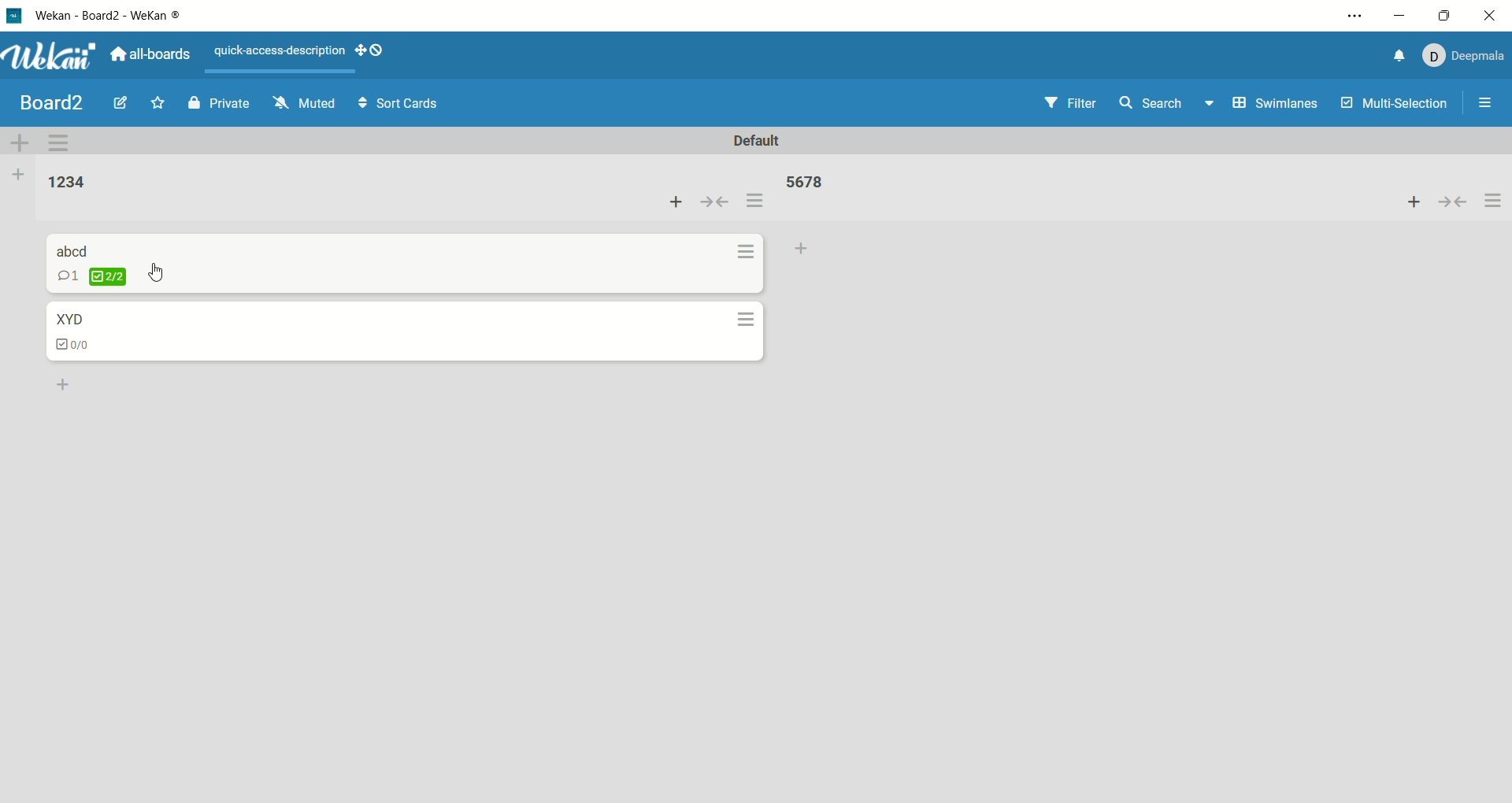 This screenshot has height=803, width=1512. I want to click on sort cards, so click(395, 105).